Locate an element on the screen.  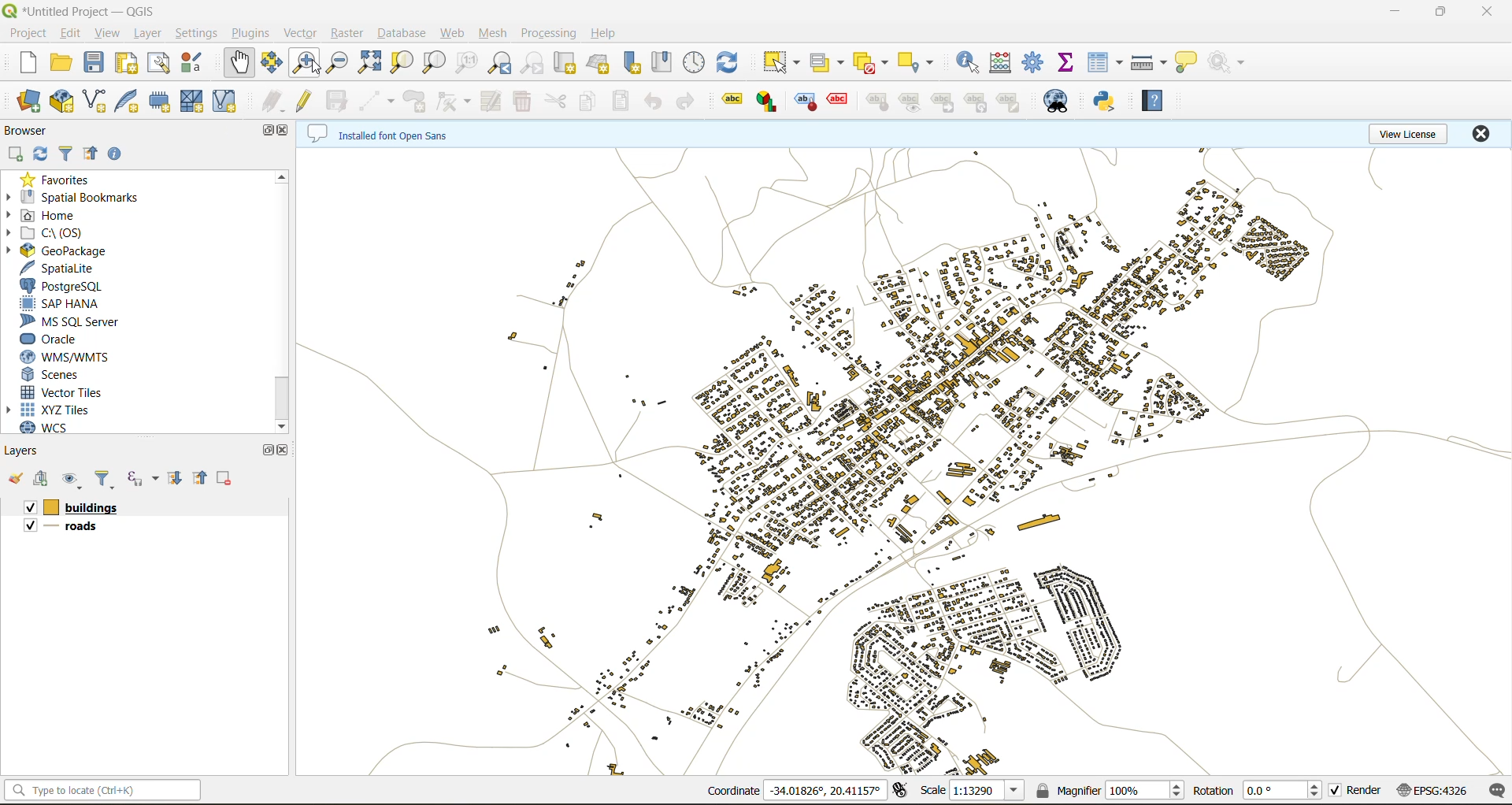
vector is located at coordinates (300, 34).